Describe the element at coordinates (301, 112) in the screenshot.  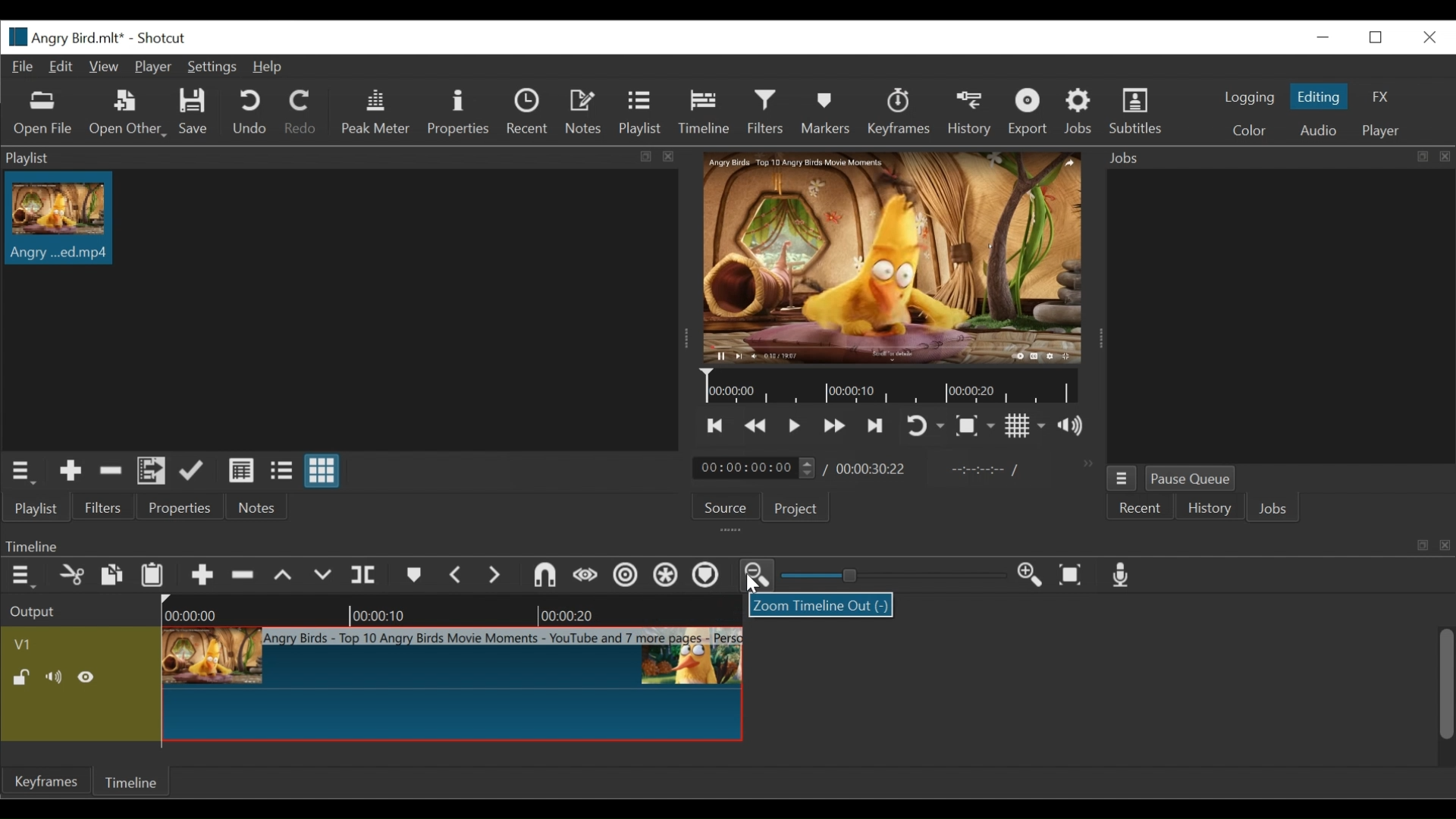
I see `Redo` at that location.